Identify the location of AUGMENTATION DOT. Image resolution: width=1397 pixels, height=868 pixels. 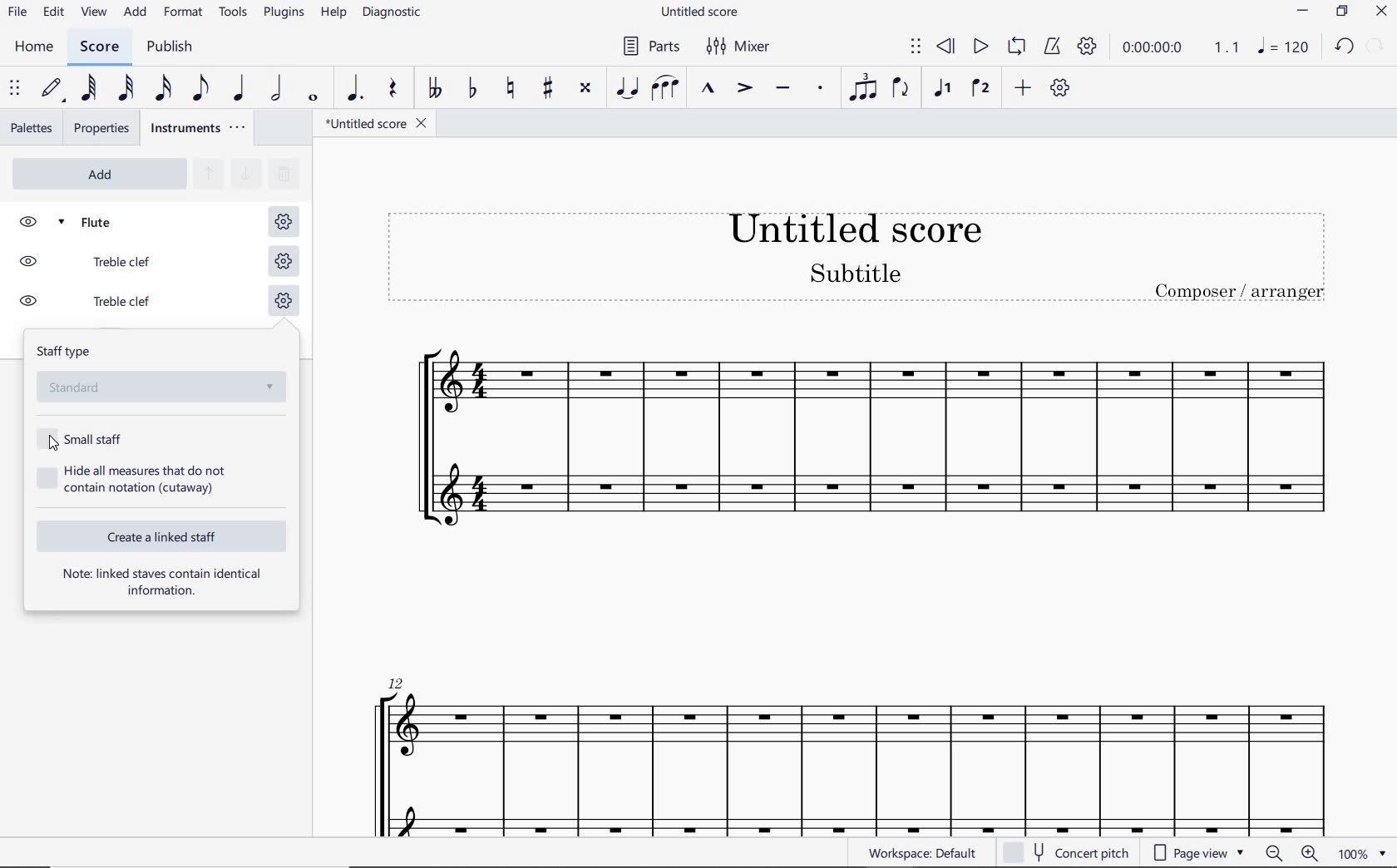
(353, 90).